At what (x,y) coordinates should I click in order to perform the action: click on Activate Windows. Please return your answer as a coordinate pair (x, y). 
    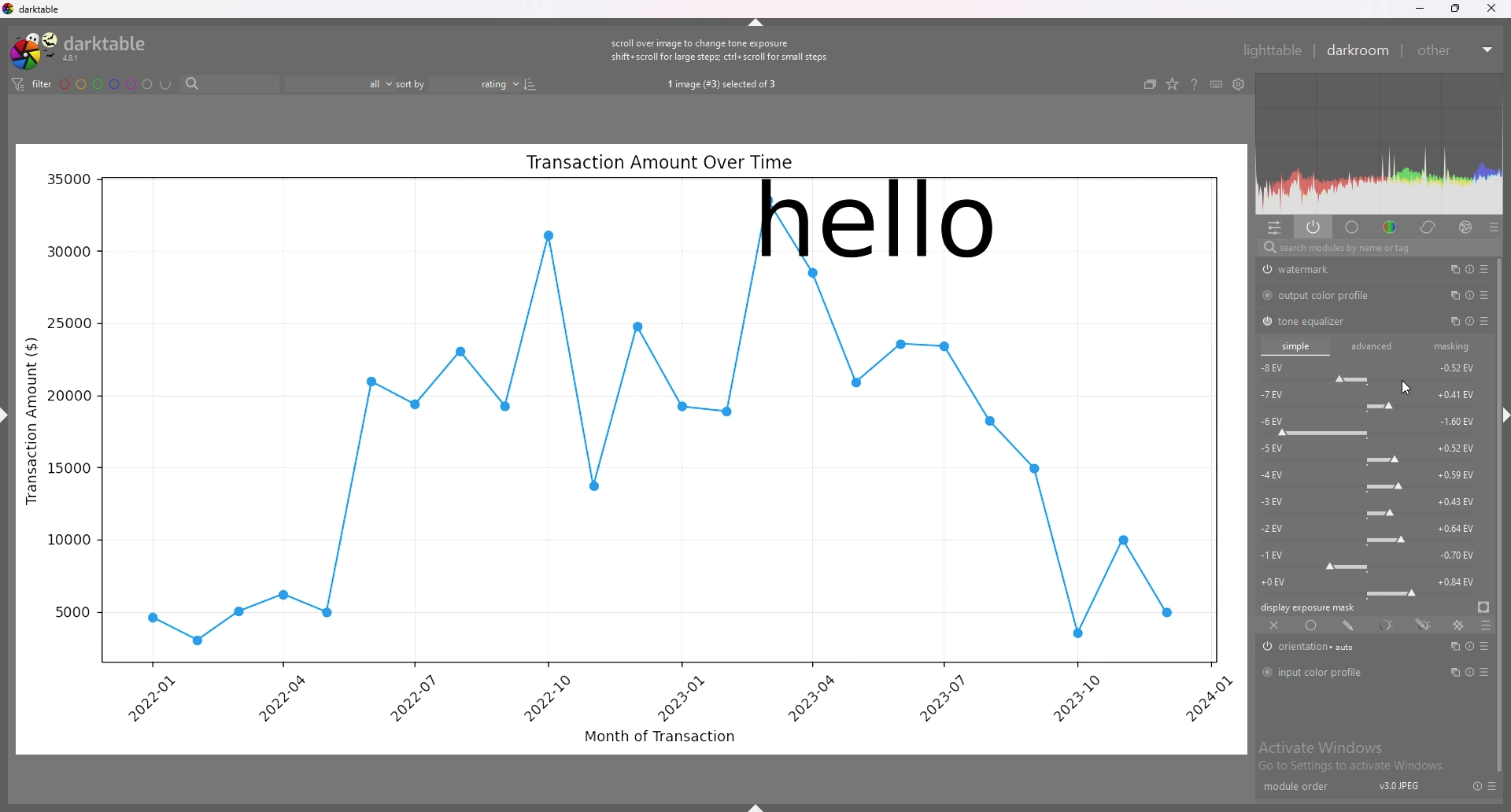
    Looking at the image, I should click on (1321, 747).